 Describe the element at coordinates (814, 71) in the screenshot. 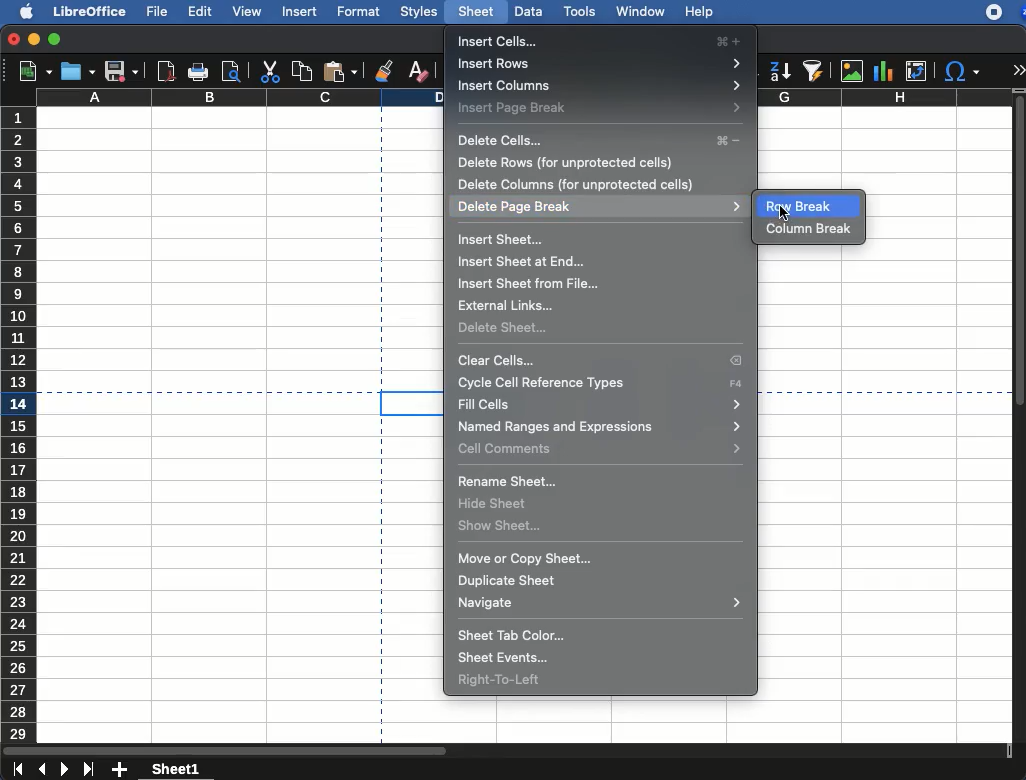

I see `autofilter` at that location.